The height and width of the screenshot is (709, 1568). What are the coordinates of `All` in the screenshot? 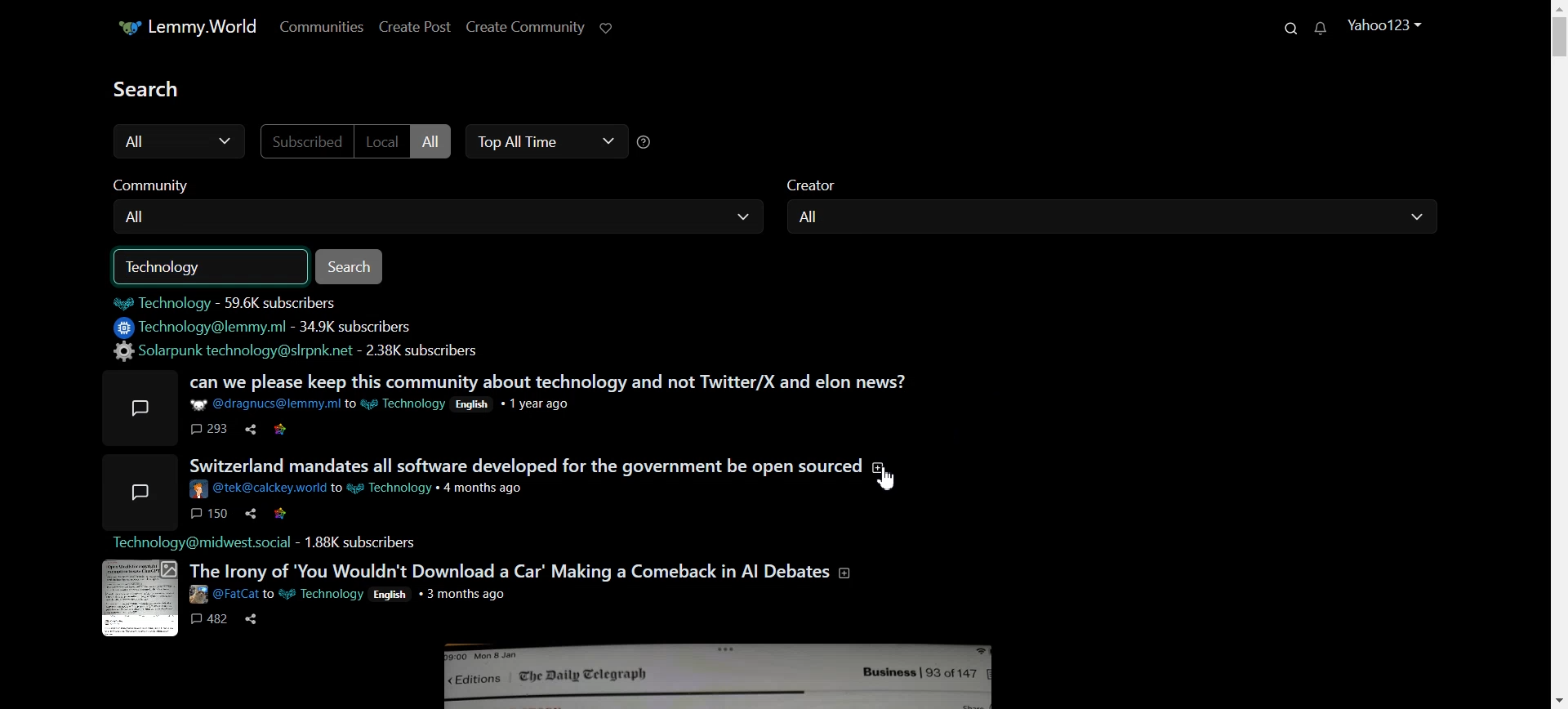 It's located at (445, 216).